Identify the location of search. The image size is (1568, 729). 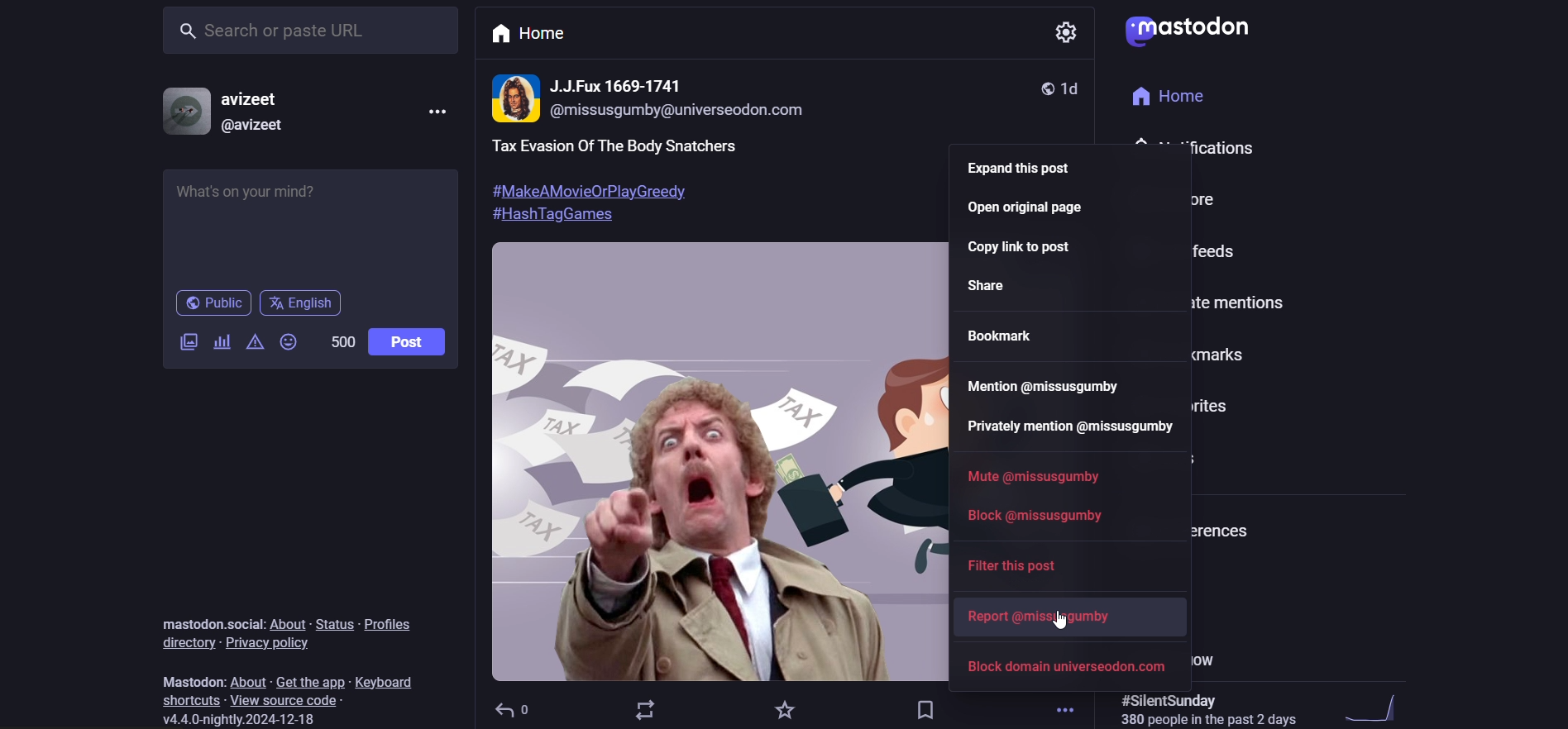
(308, 31).